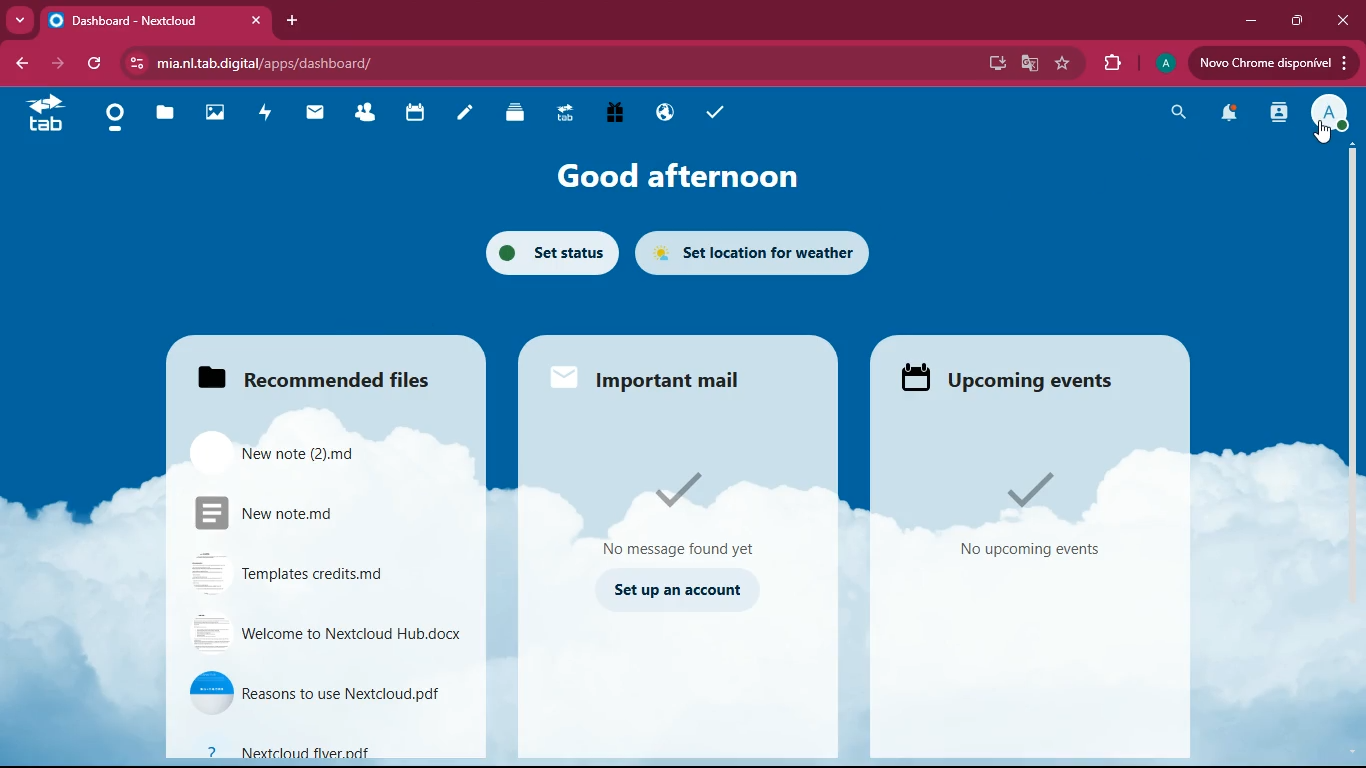 Image resolution: width=1366 pixels, height=768 pixels. What do you see at coordinates (422, 115) in the screenshot?
I see `calendar` at bounding box center [422, 115].